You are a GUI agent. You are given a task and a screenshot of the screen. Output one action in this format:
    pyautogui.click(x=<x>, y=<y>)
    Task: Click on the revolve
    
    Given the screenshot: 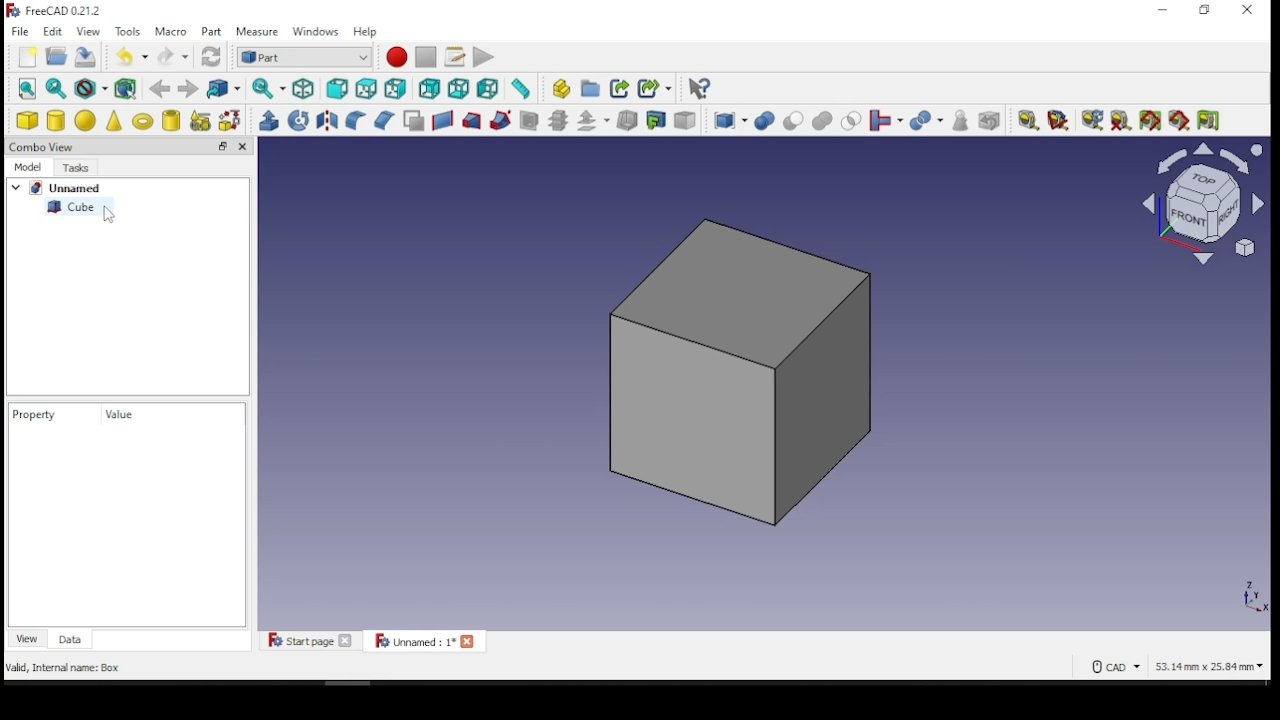 What is the action you would take?
    pyautogui.click(x=299, y=120)
    